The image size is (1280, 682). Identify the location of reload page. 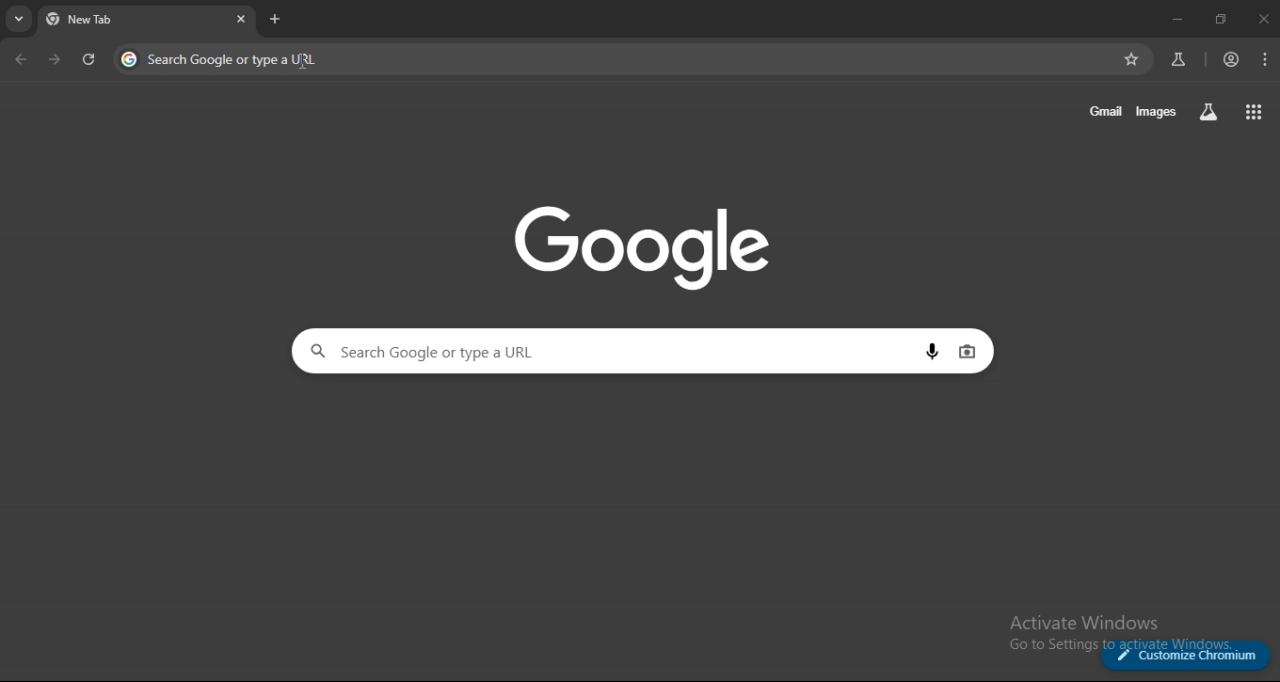
(90, 63).